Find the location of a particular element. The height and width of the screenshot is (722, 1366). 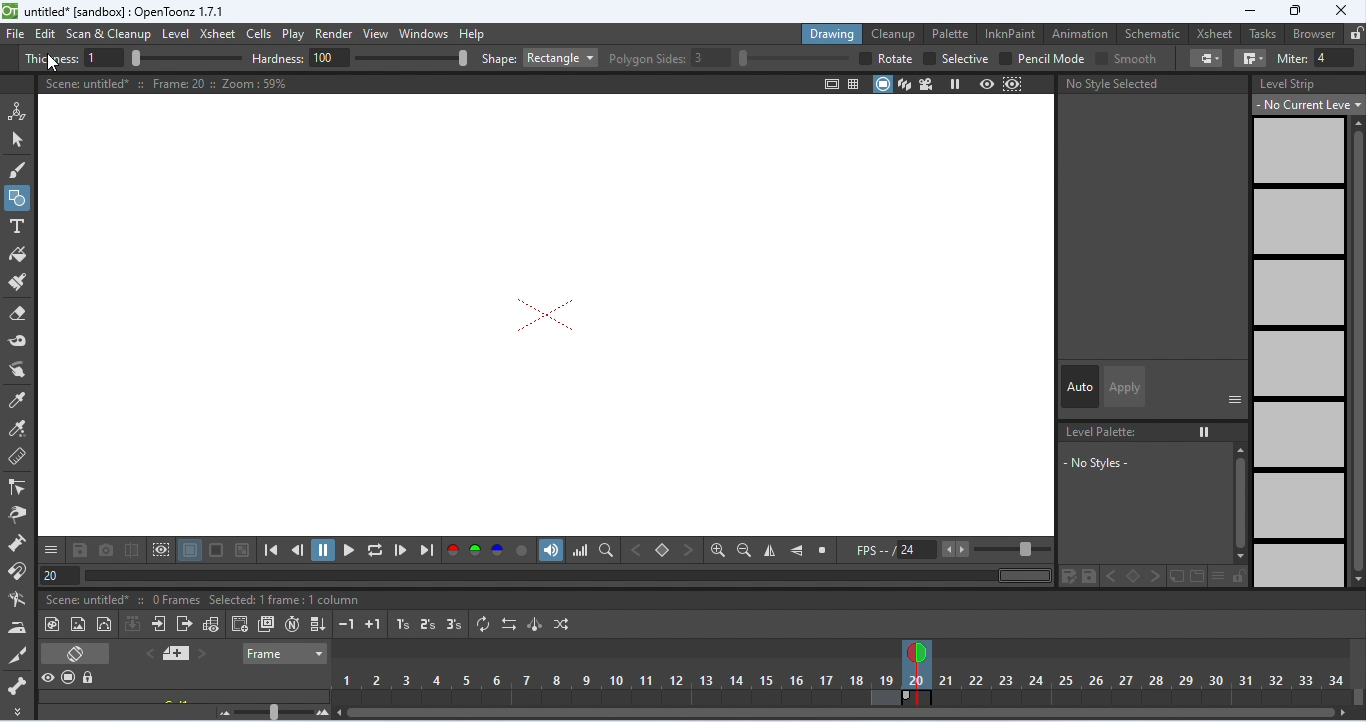

polygon slides is located at coordinates (730, 58).